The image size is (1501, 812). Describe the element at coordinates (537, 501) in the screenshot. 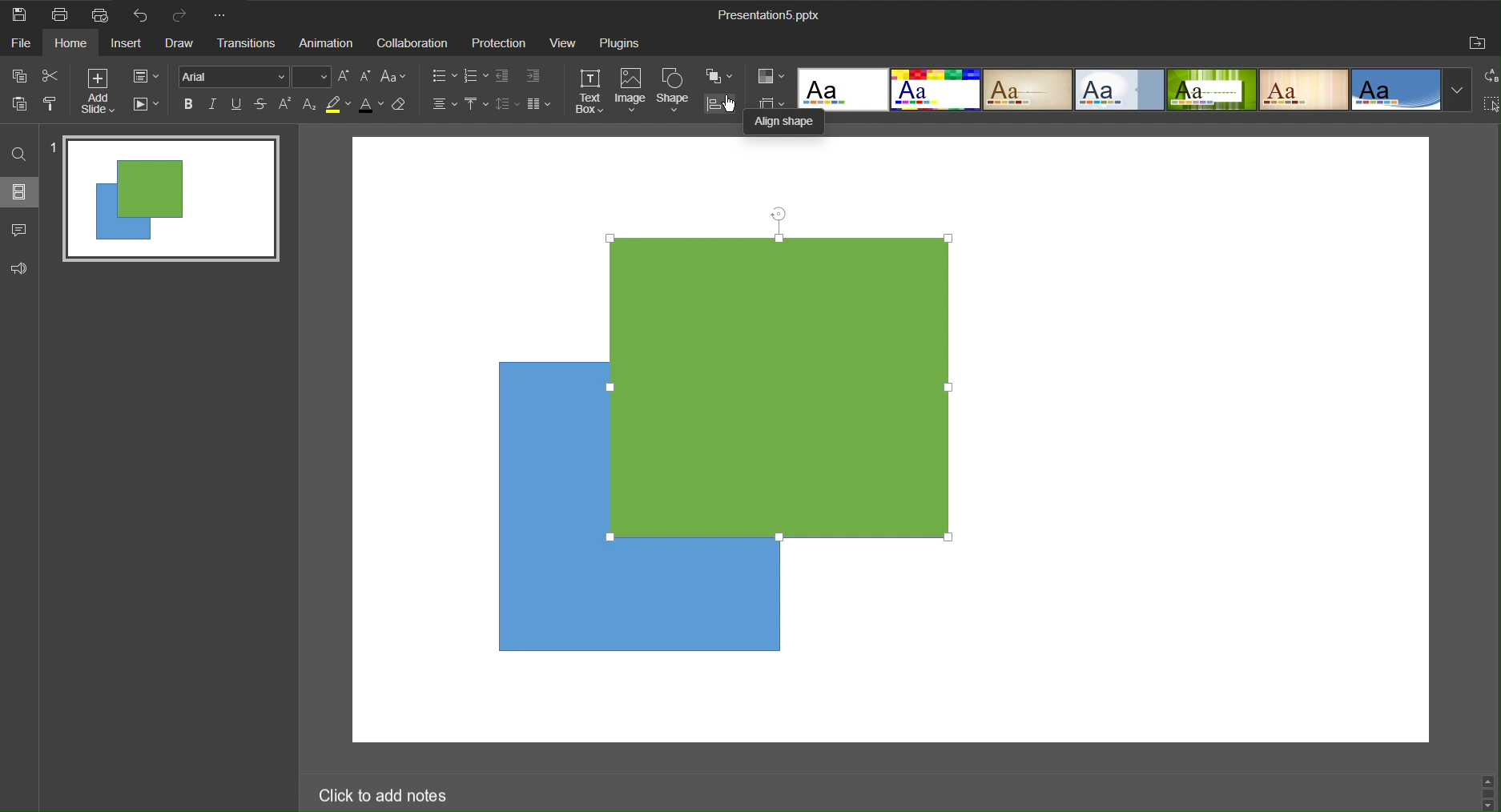

I see `shape` at that location.